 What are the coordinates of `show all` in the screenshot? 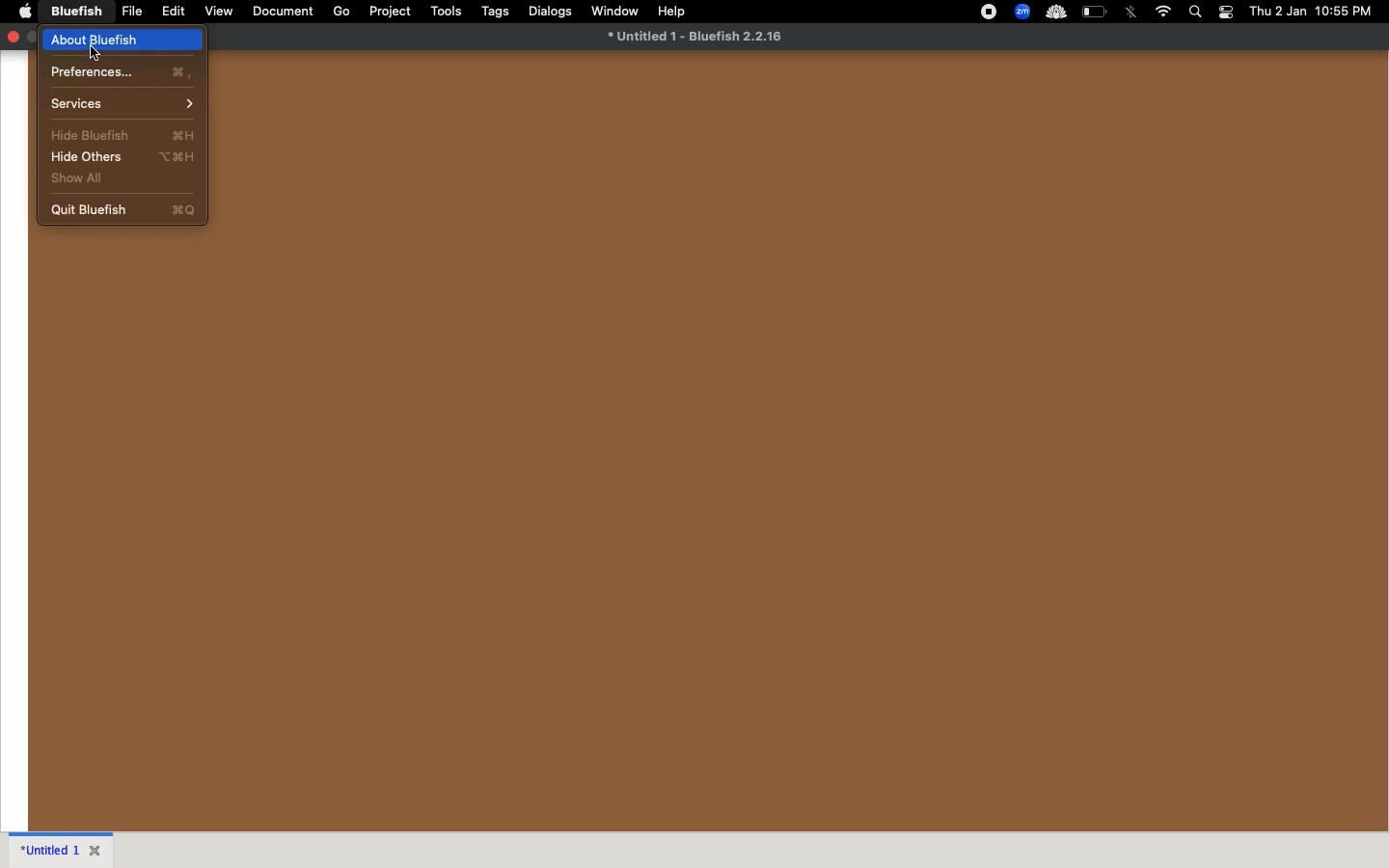 It's located at (122, 180).